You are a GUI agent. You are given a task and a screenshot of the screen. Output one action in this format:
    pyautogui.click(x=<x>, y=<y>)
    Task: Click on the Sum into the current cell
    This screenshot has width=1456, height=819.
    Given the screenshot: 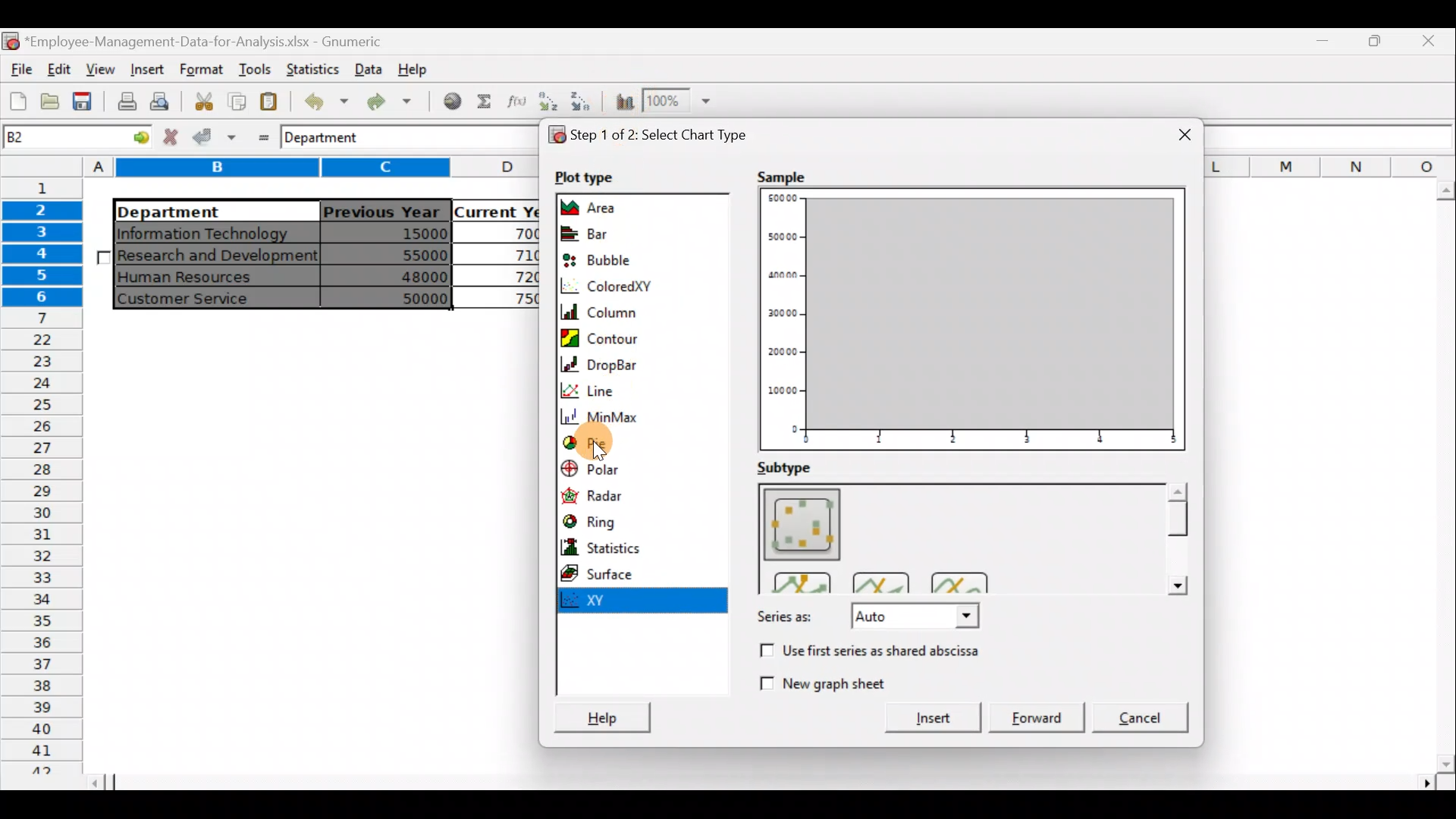 What is the action you would take?
    pyautogui.click(x=485, y=100)
    